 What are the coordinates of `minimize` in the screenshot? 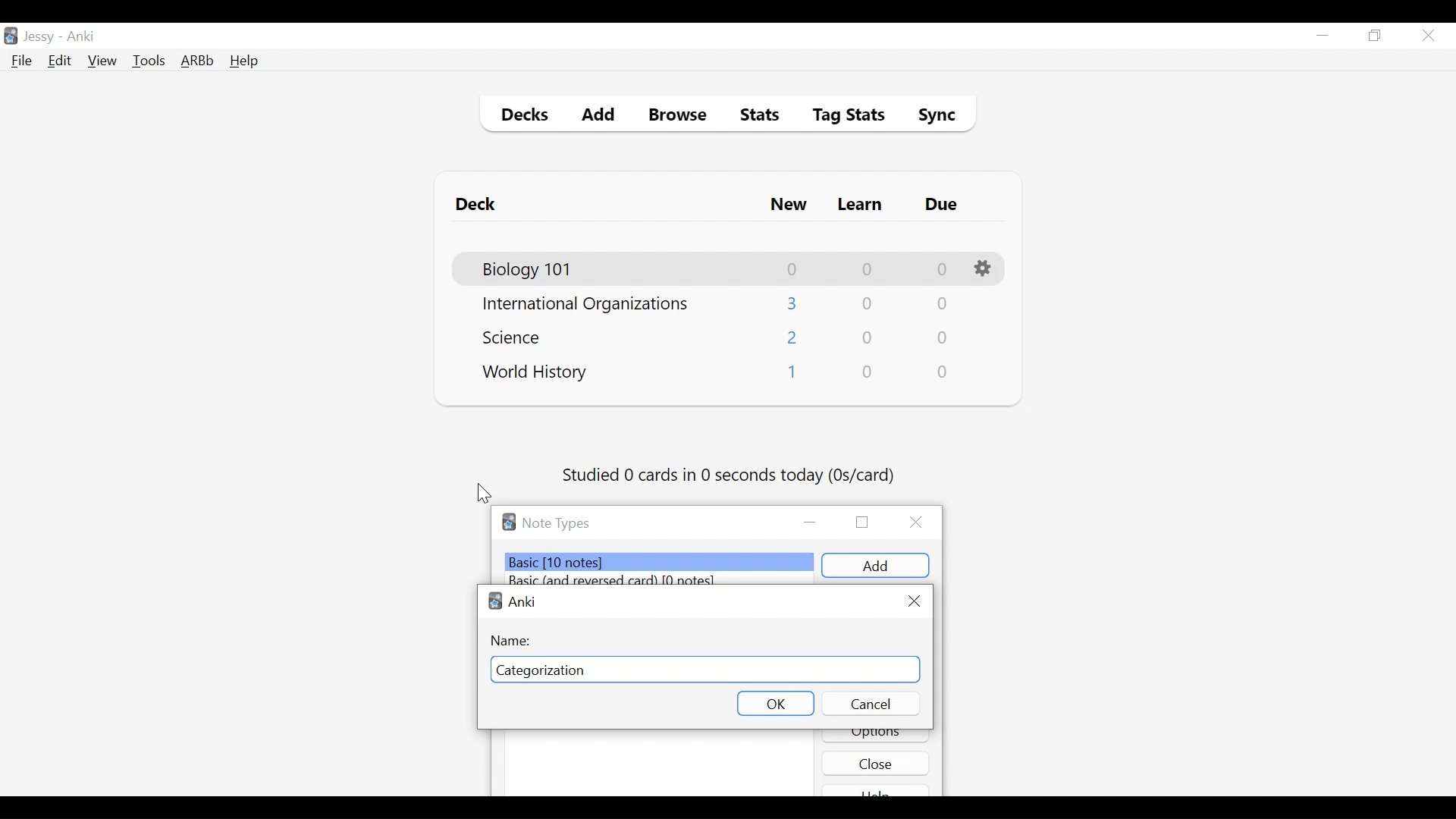 It's located at (1322, 36).